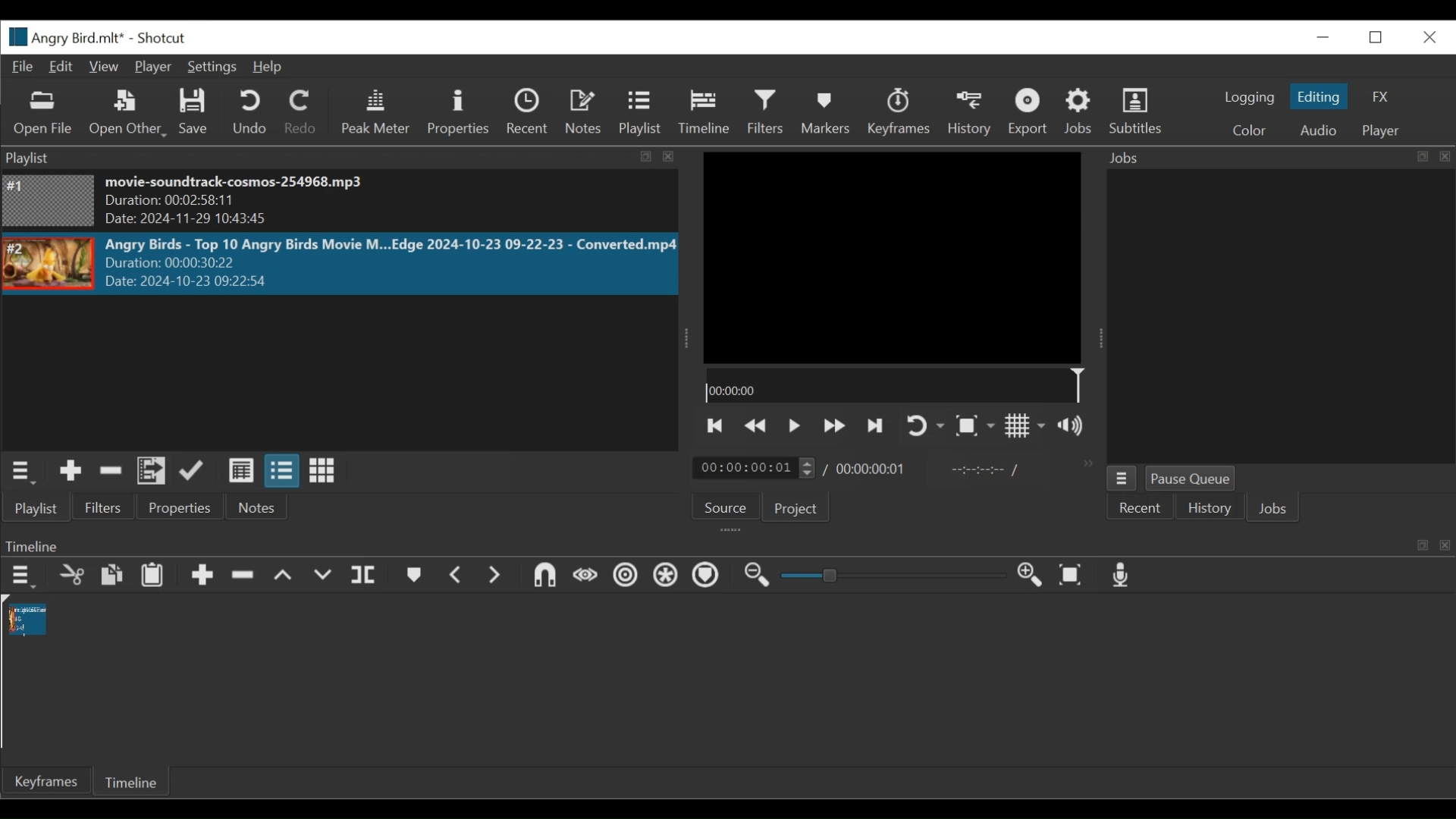 This screenshot has width=1456, height=819. I want to click on Recent, so click(1136, 510).